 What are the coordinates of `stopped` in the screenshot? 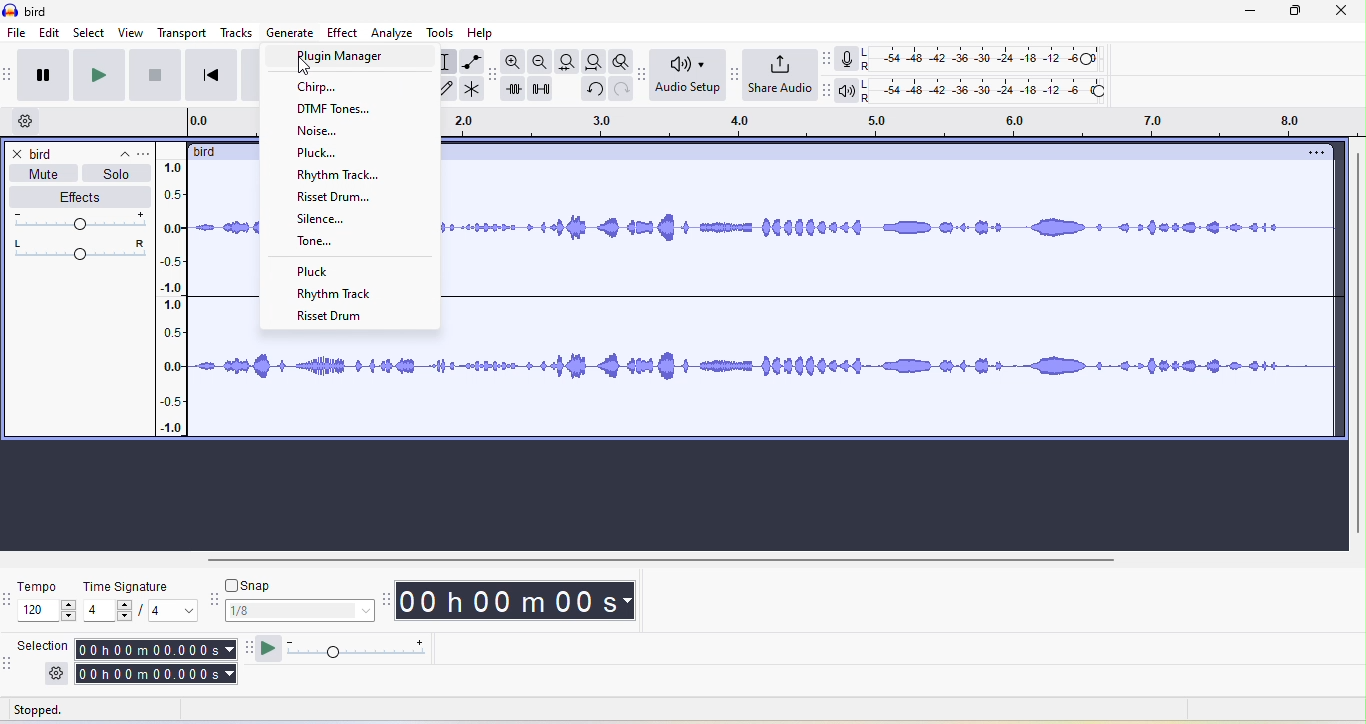 It's located at (55, 711).